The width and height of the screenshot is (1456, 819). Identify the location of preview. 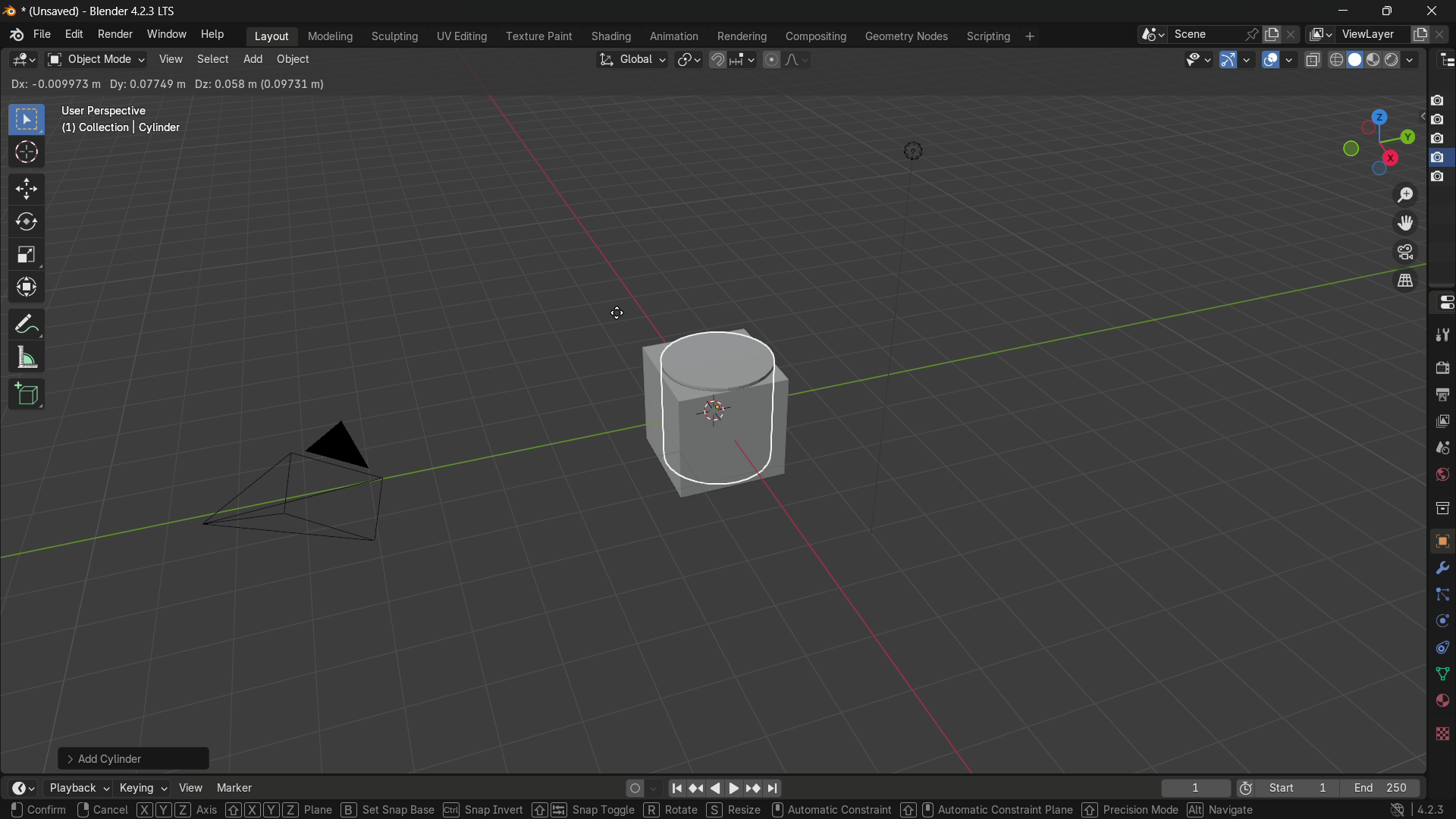
(1241, 789).